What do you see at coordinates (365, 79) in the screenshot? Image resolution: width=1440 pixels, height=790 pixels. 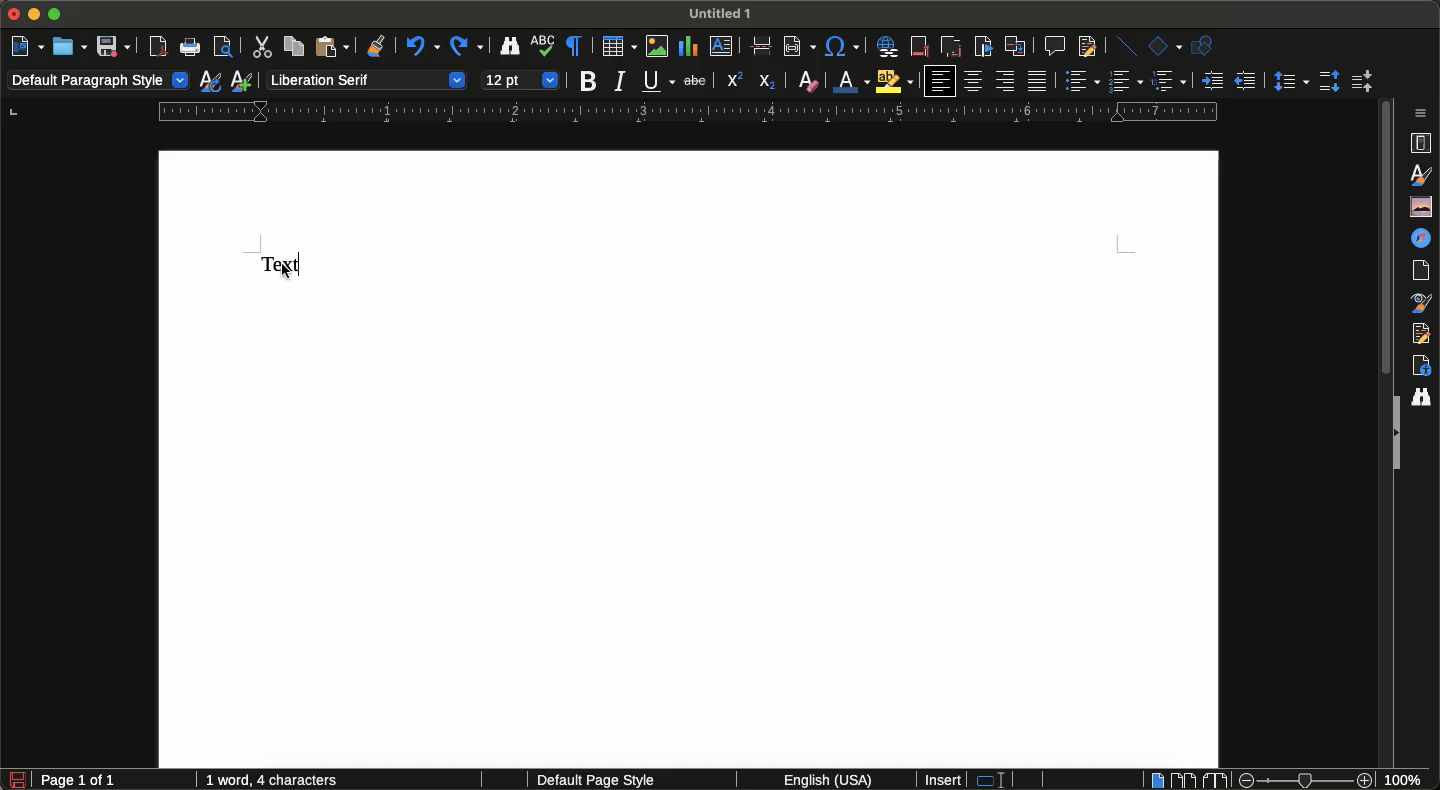 I see `Font style` at bounding box center [365, 79].